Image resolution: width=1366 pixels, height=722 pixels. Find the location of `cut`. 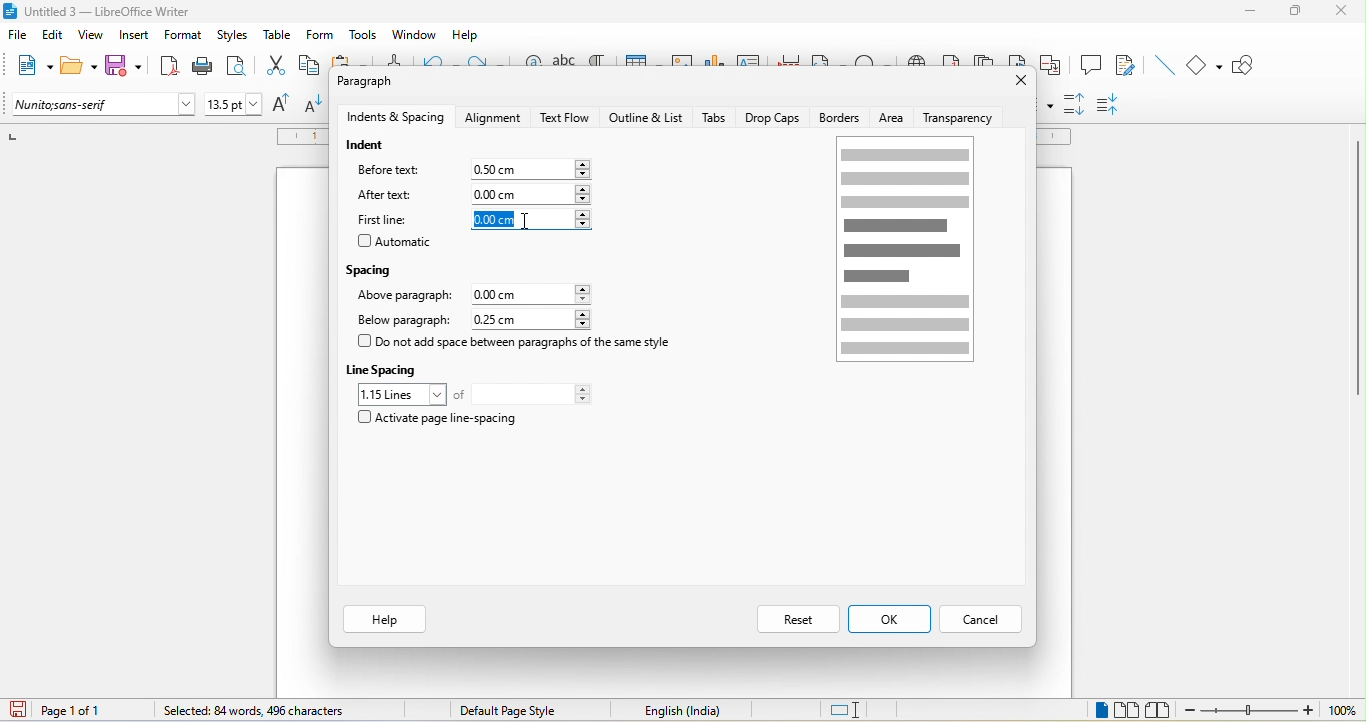

cut is located at coordinates (276, 67).